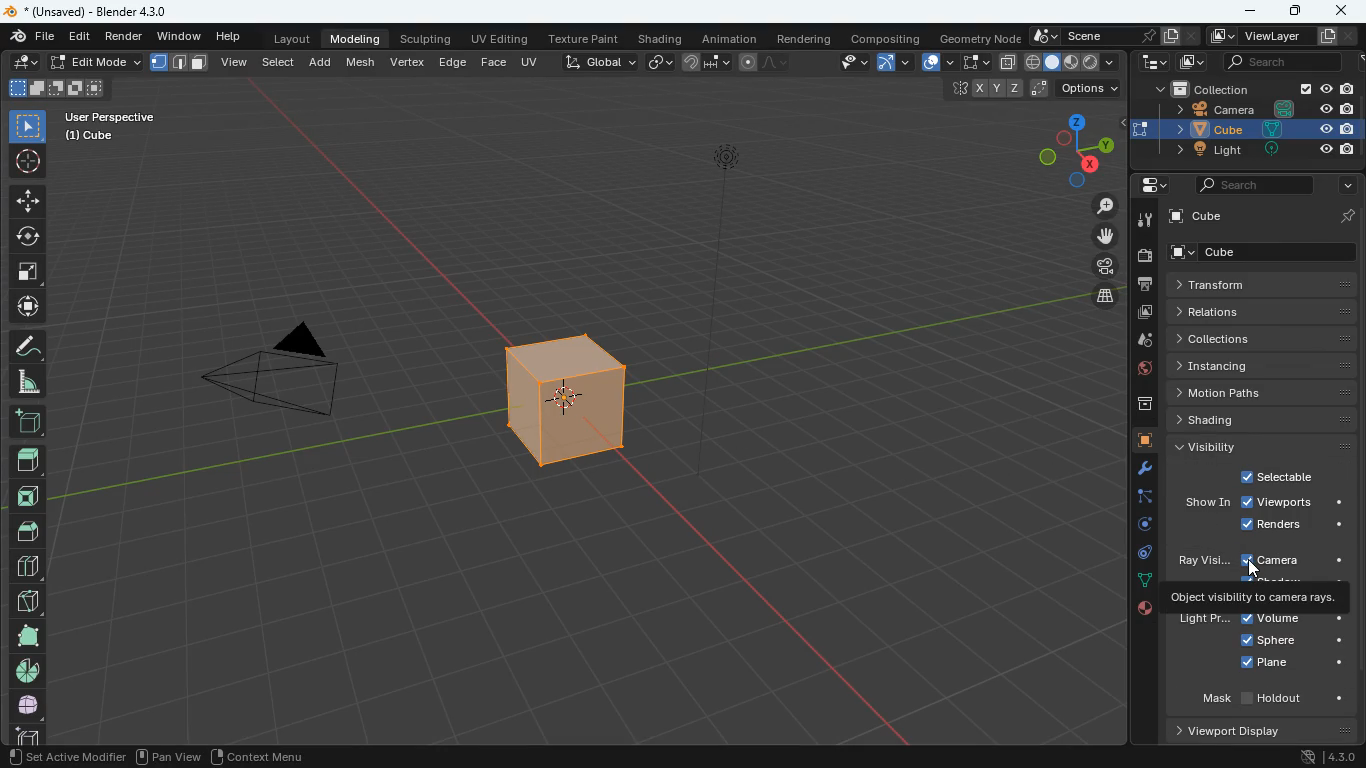  I want to click on finder, so click(31, 38).